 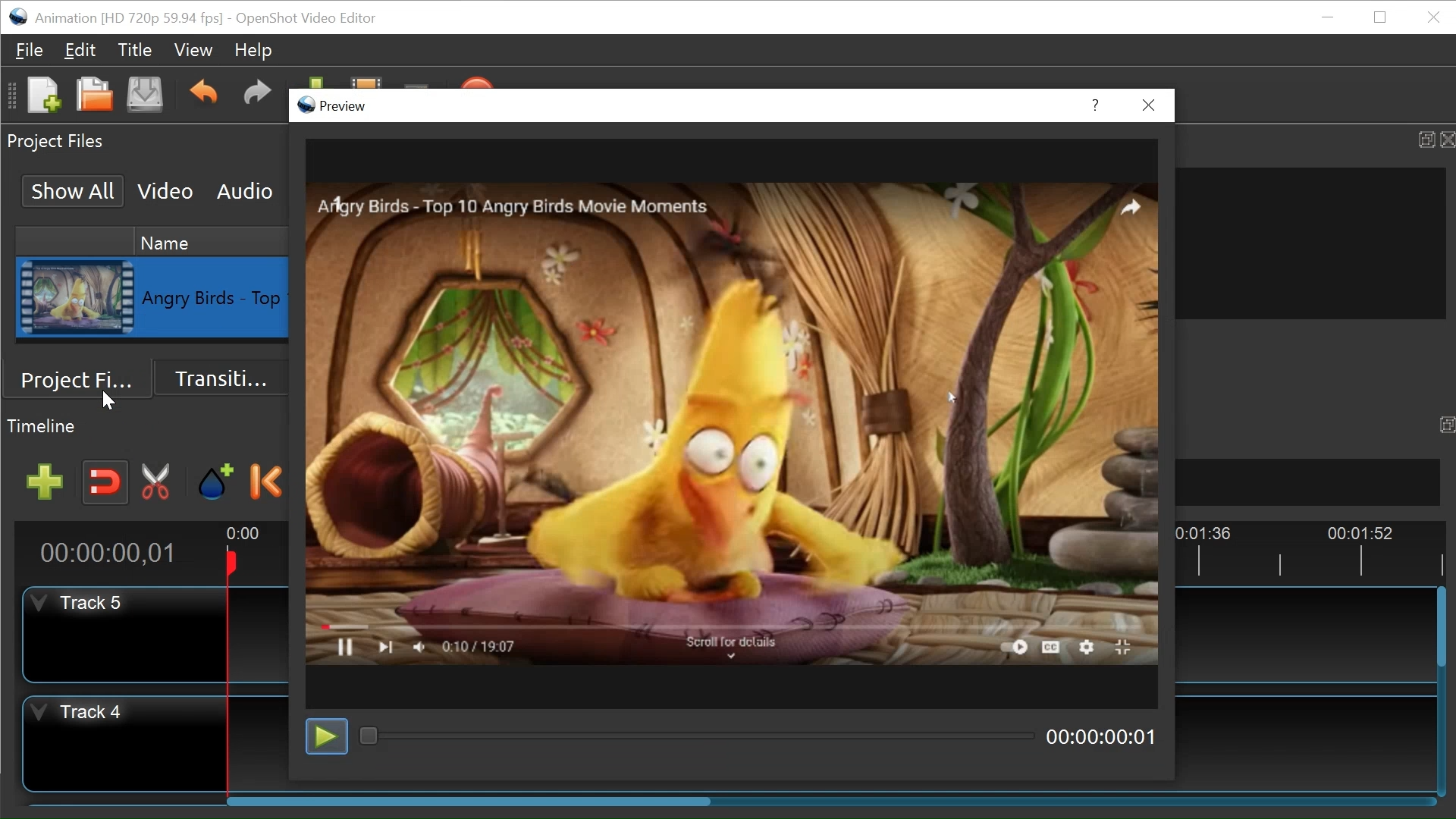 What do you see at coordinates (215, 299) in the screenshot?
I see `Clip Name` at bounding box center [215, 299].